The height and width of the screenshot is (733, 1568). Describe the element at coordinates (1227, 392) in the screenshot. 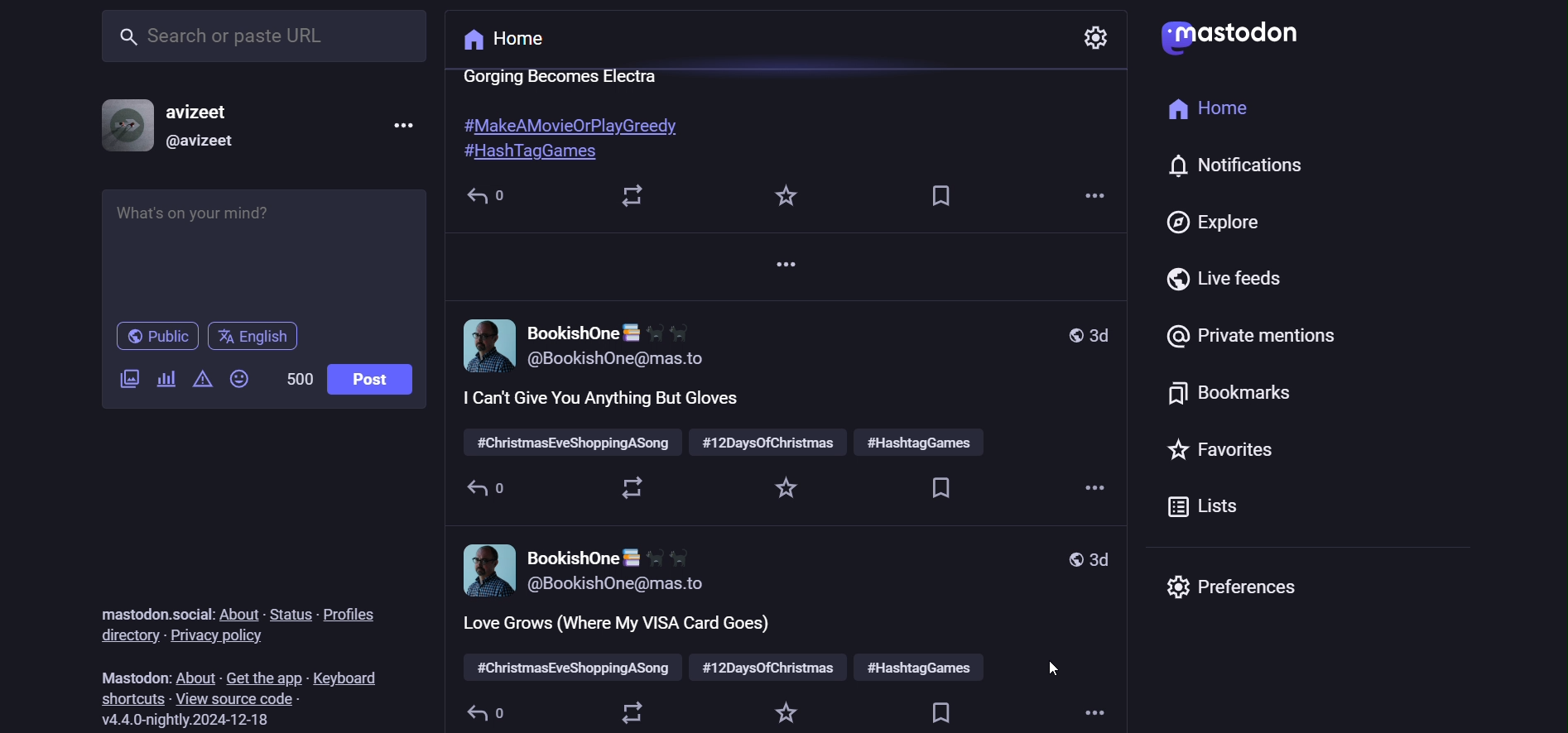

I see `bookmark` at that location.